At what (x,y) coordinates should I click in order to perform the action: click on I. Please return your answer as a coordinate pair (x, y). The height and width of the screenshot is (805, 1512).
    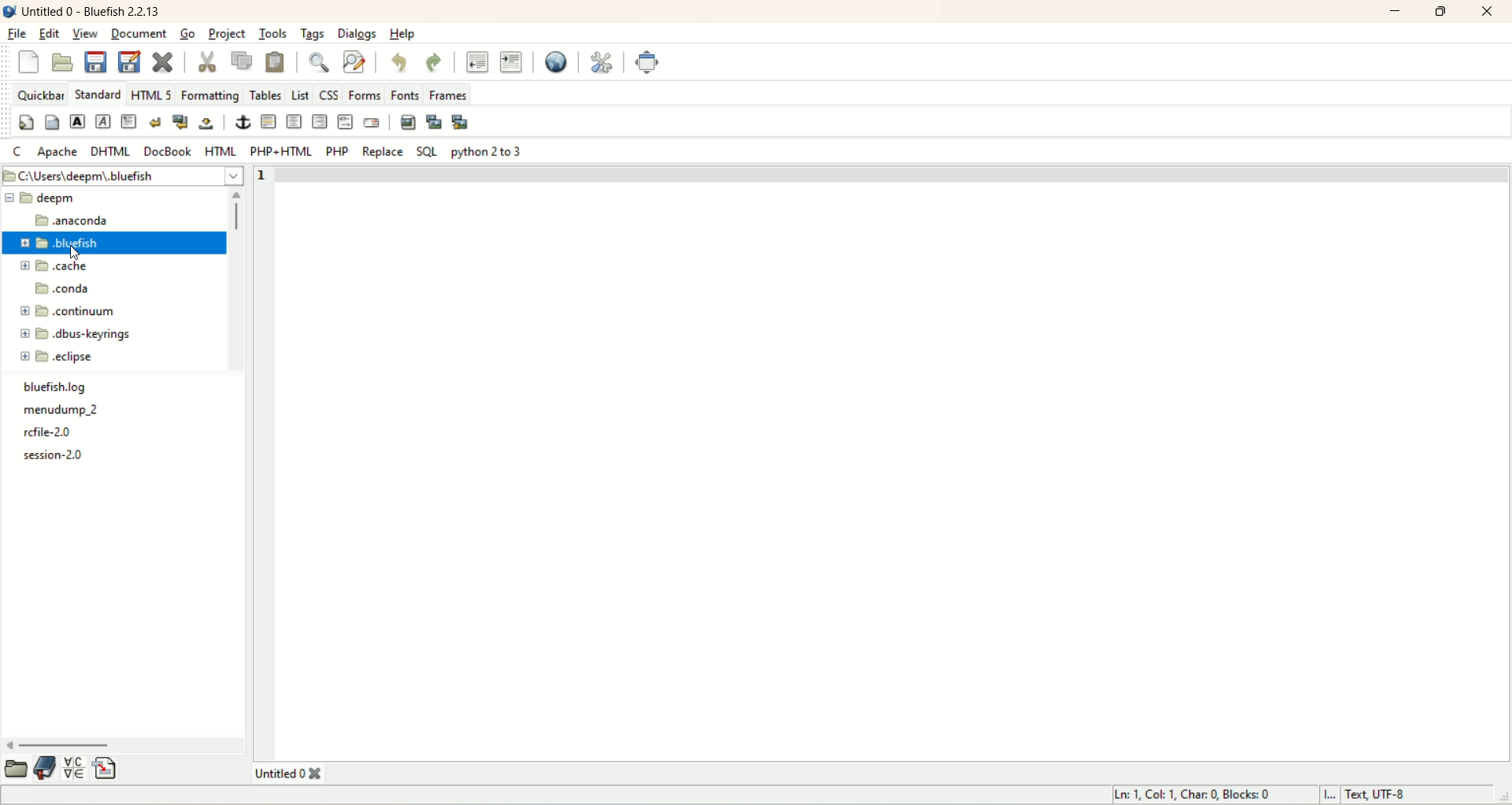
    Looking at the image, I should click on (1331, 796).